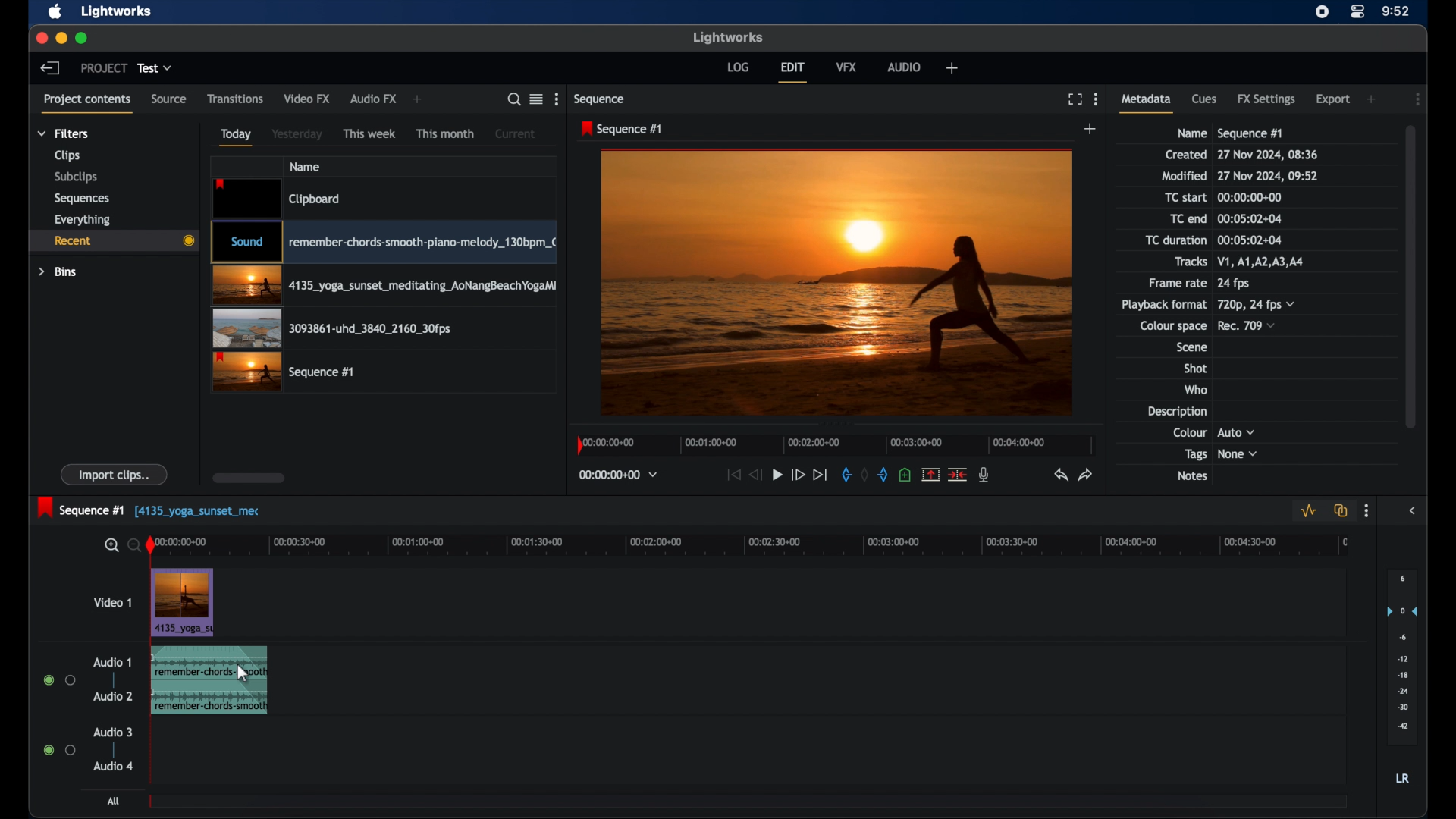  Describe the element at coordinates (1332, 99) in the screenshot. I see `export` at that location.